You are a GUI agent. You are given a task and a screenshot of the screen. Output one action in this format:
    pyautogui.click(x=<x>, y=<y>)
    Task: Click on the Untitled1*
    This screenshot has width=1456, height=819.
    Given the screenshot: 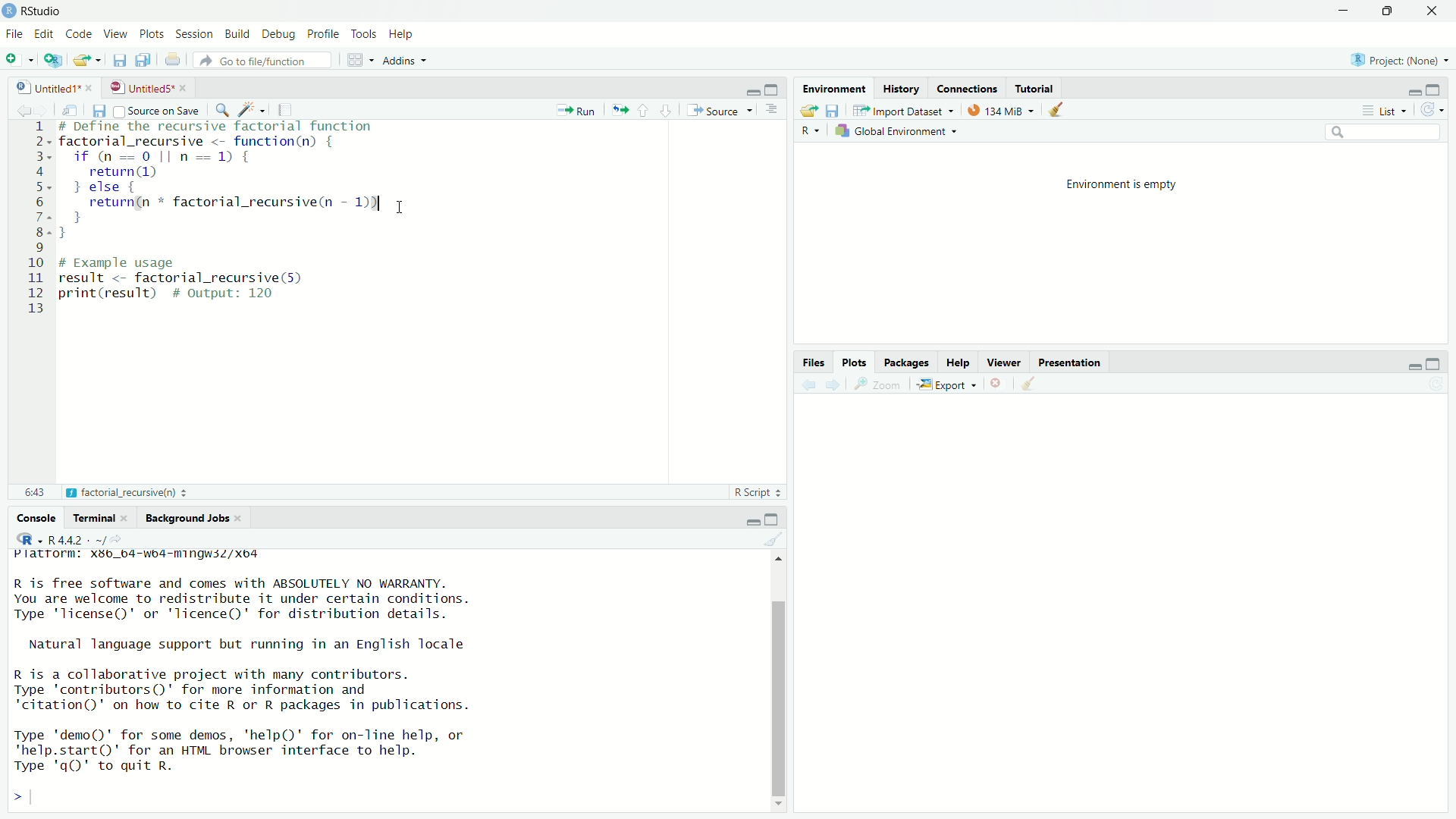 What is the action you would take?
    pyautogui.click(x=49, y=87)
    